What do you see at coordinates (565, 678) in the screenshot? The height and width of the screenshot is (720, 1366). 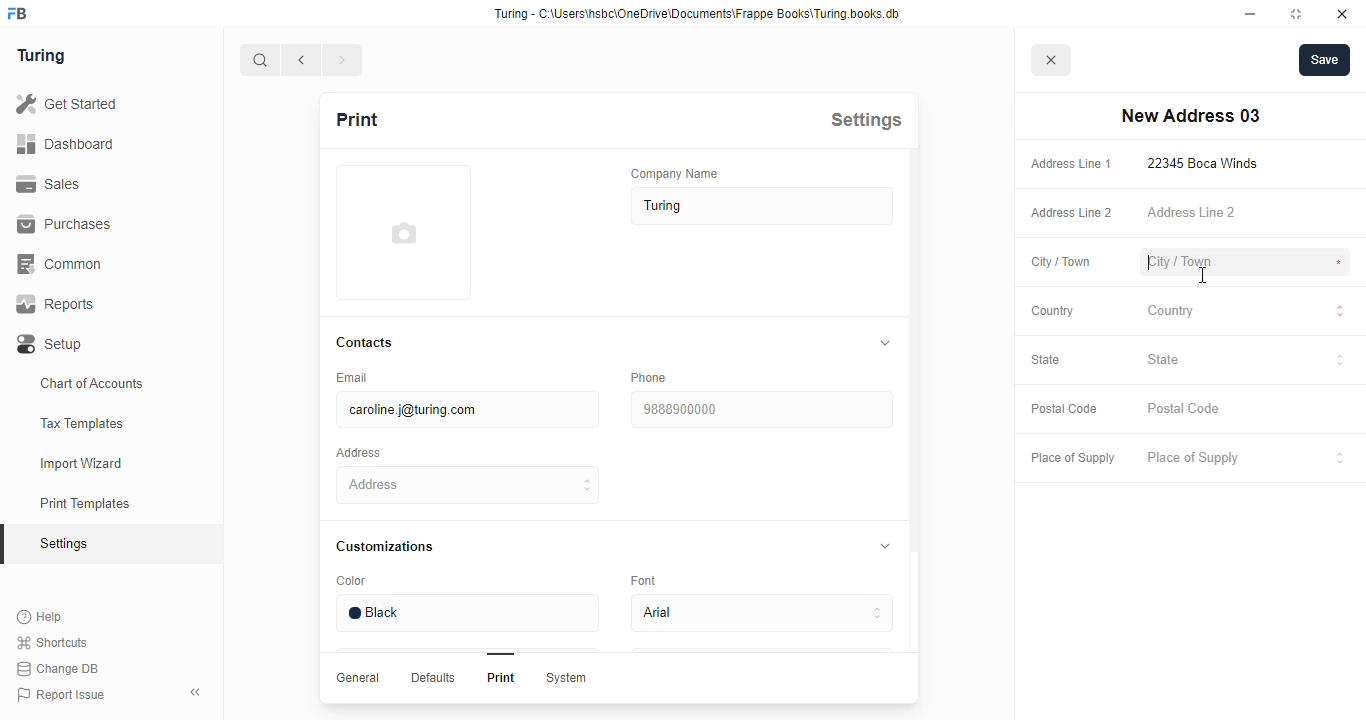 I see `System` at bounding box center [565, 678].